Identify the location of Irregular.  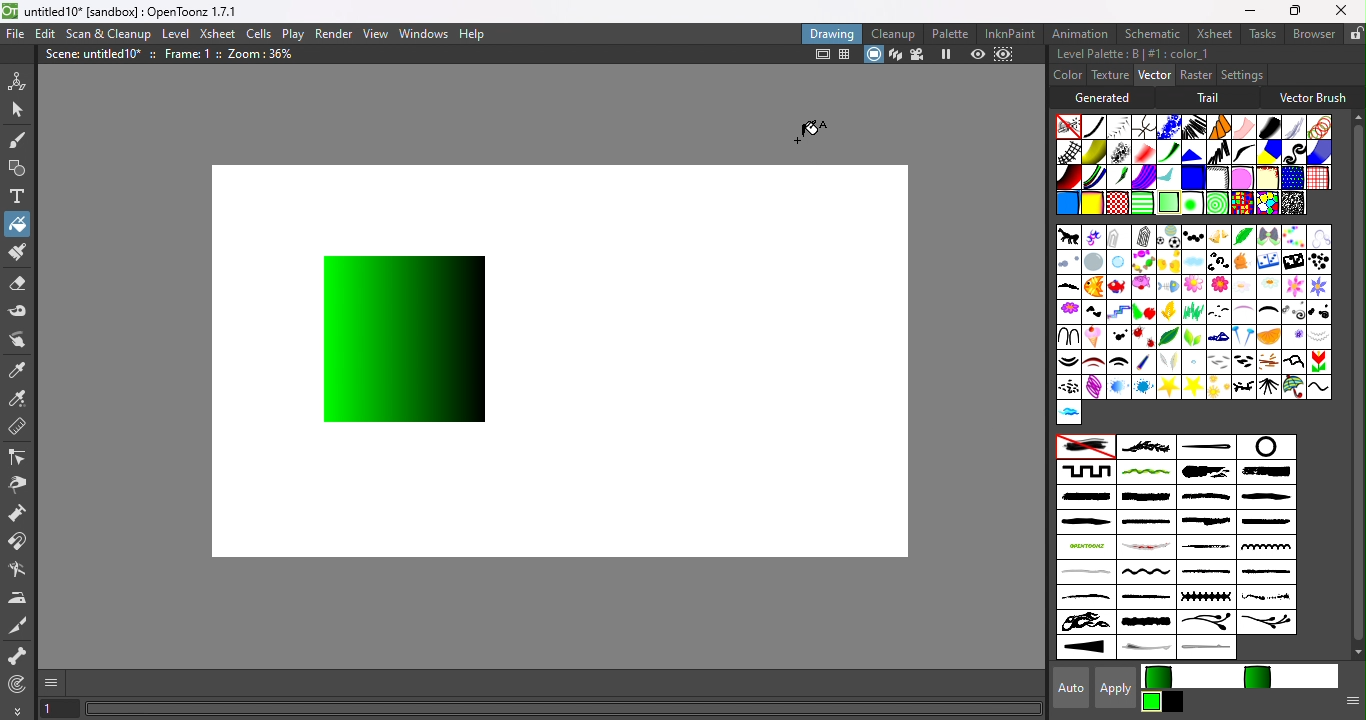
(1066, 205).